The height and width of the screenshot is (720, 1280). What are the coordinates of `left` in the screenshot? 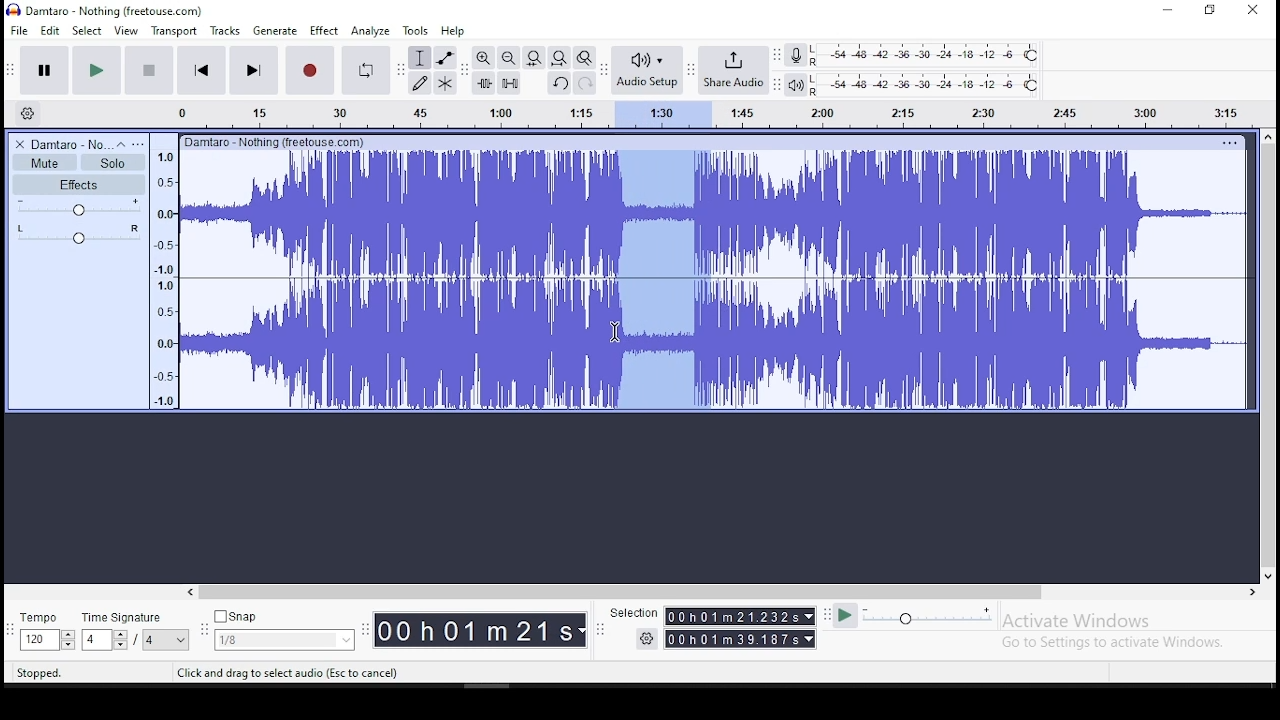 It's located at (189, 592).